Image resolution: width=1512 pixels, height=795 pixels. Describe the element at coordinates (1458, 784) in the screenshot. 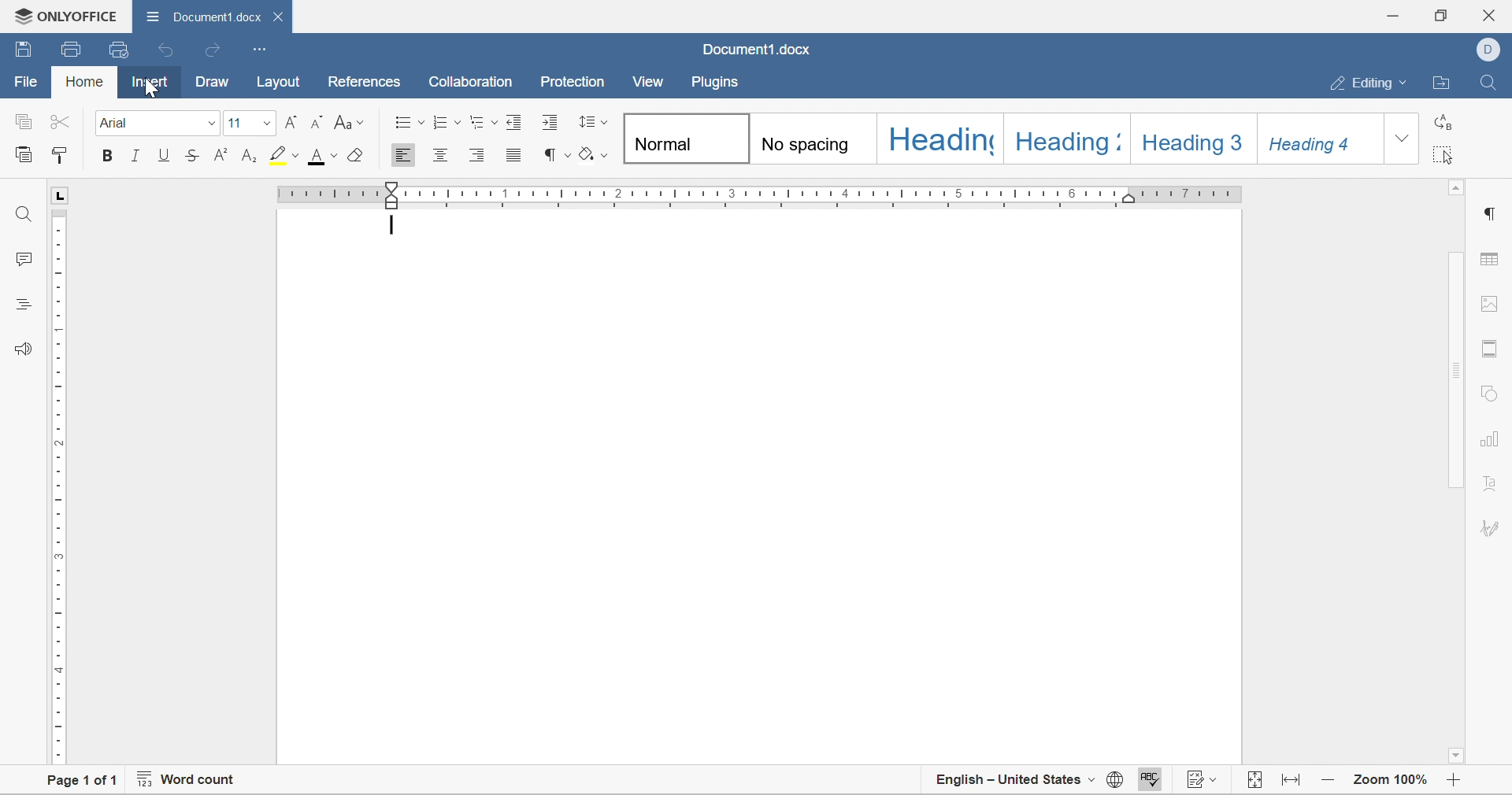

I see `Zoom in` at that location.